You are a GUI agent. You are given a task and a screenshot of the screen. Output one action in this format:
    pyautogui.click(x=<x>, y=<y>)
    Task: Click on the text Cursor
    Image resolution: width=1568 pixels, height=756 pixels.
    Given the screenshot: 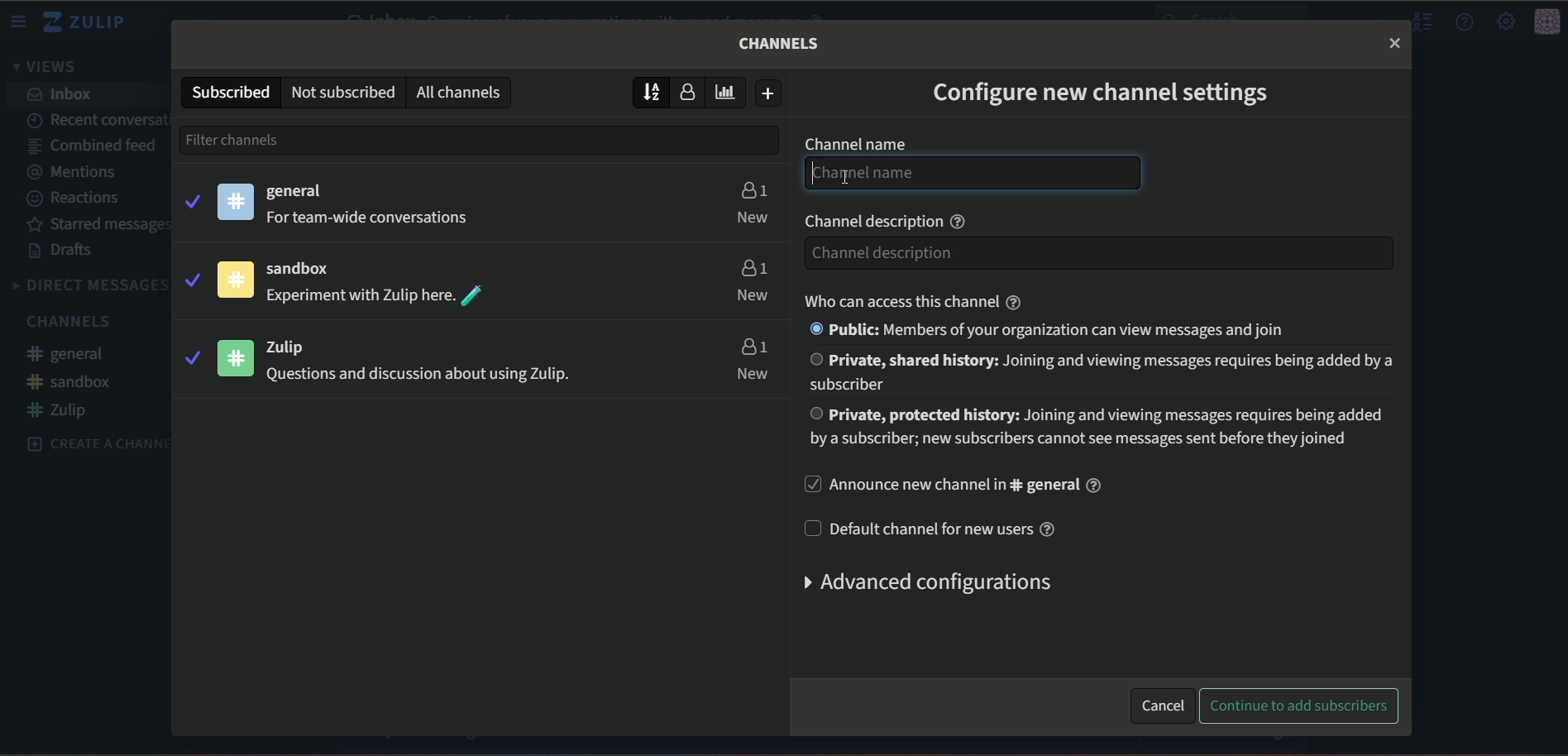 What is the action you would take?
    pyautogui.click(x=838, y=172)
    